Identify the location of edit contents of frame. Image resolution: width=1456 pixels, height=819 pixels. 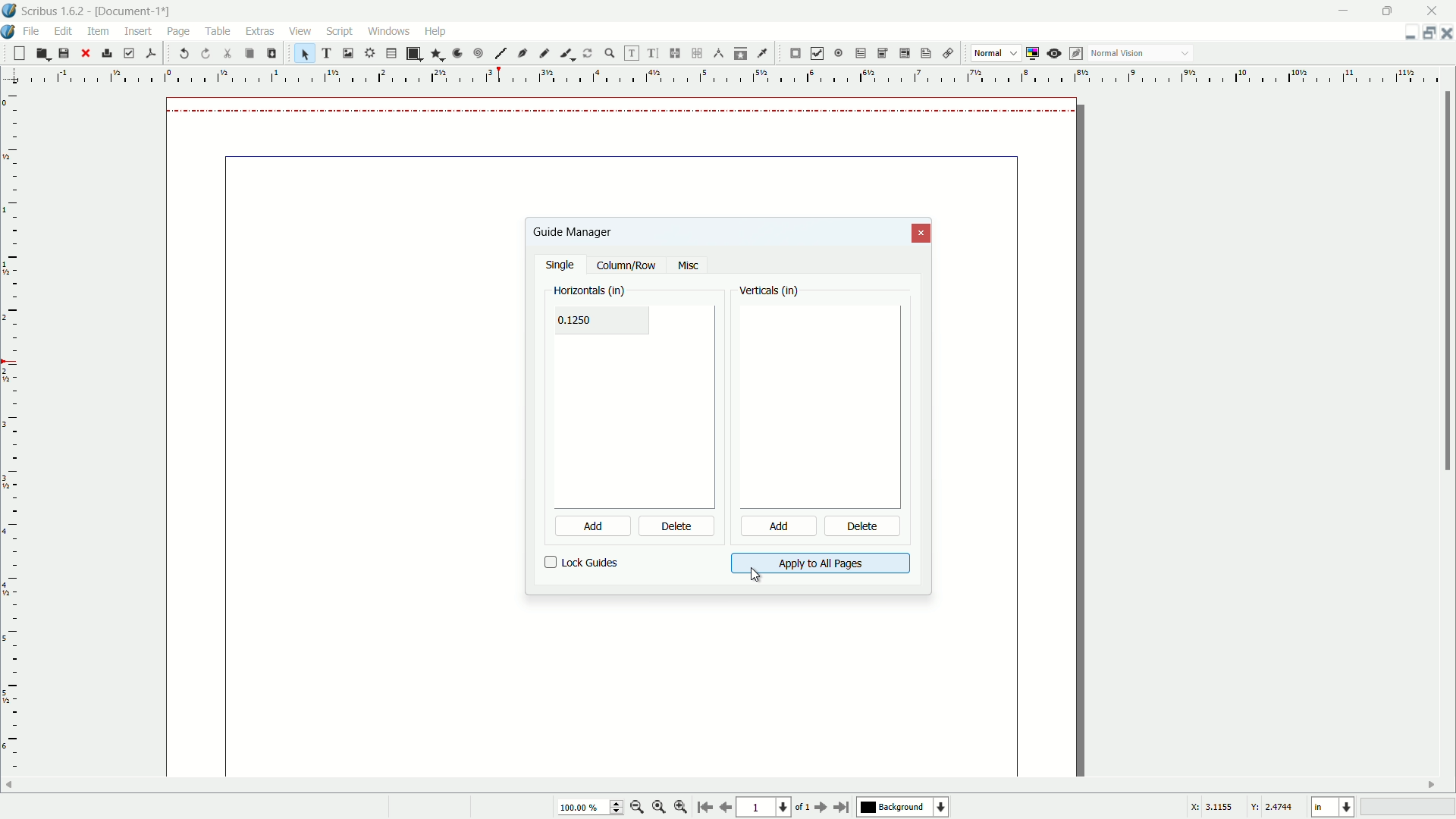
(629, 53).